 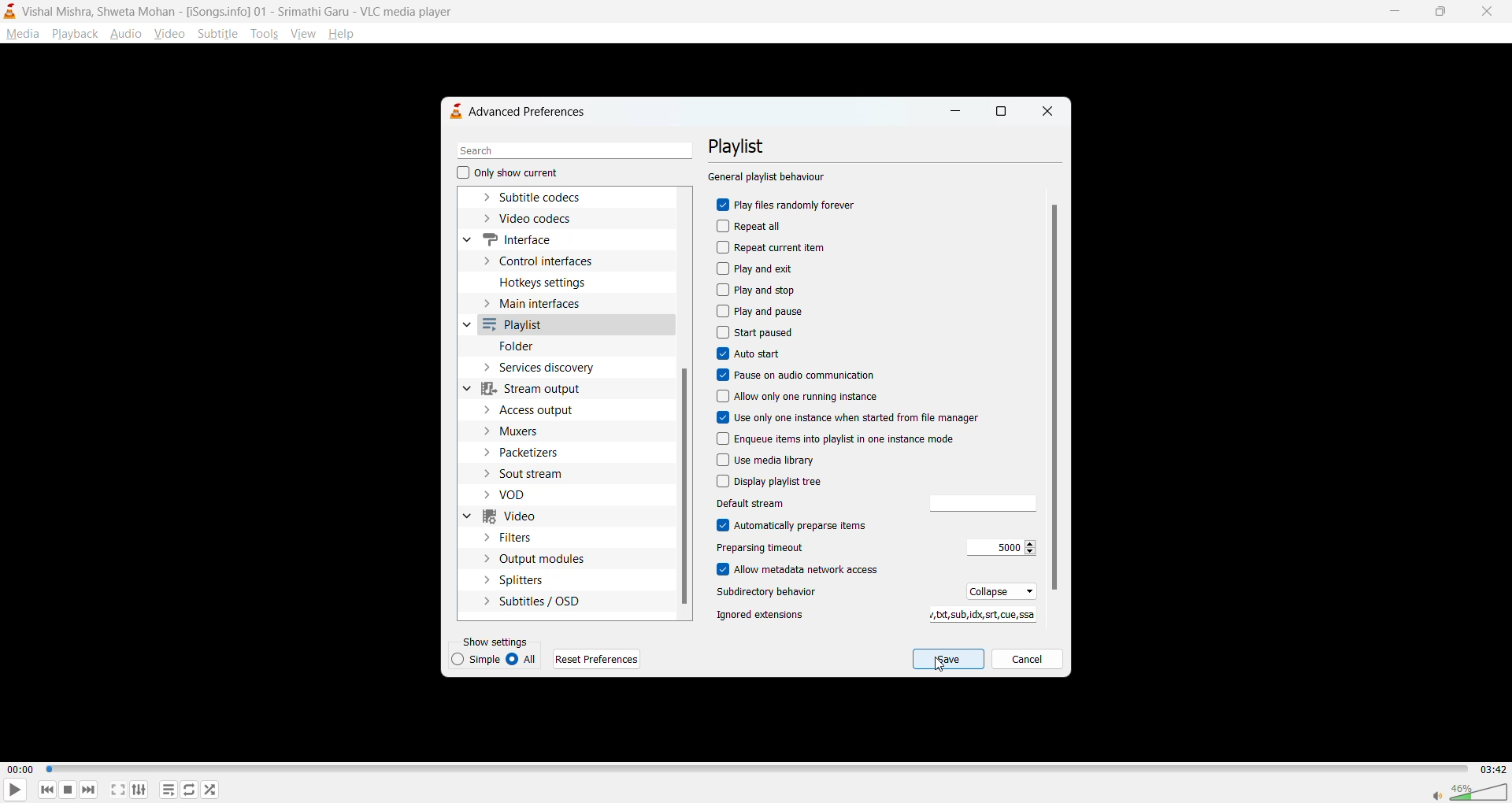 I want to click on previous, so click(x=48, y=789).